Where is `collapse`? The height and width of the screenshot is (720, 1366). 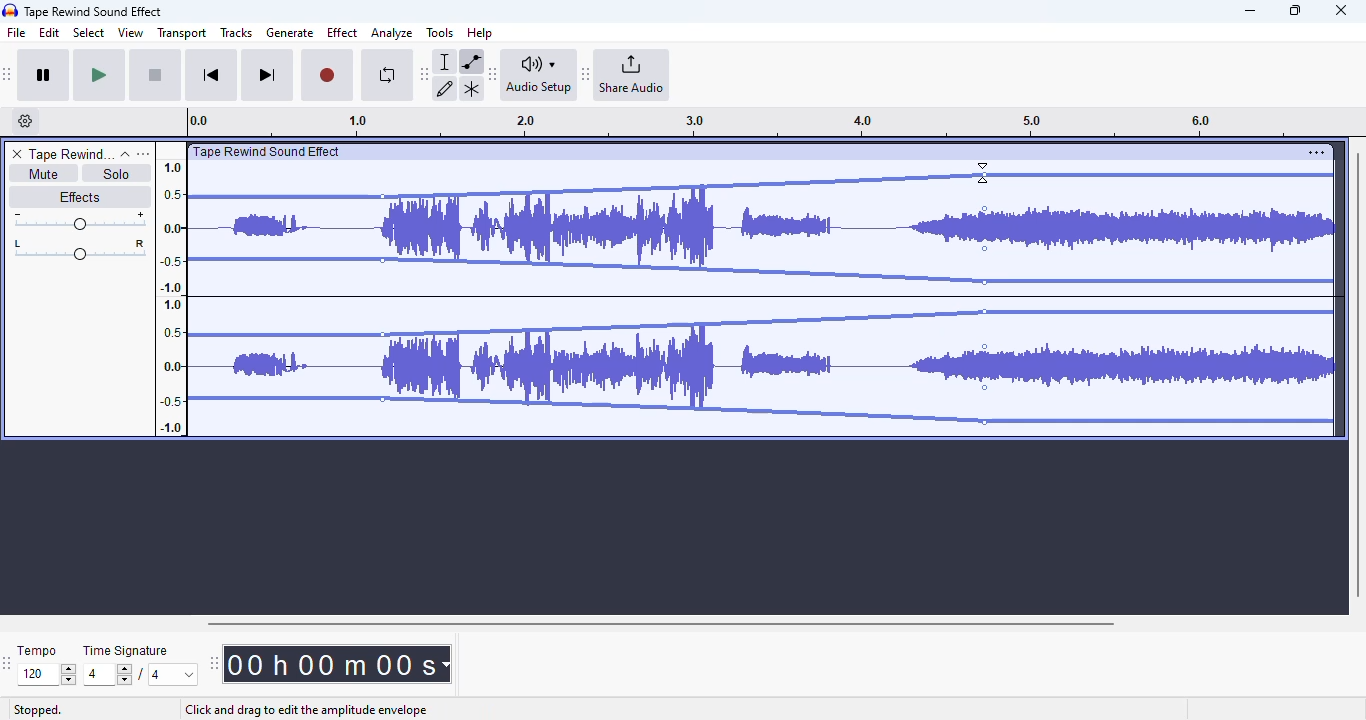
collapse is located at coordinates (125, 154).